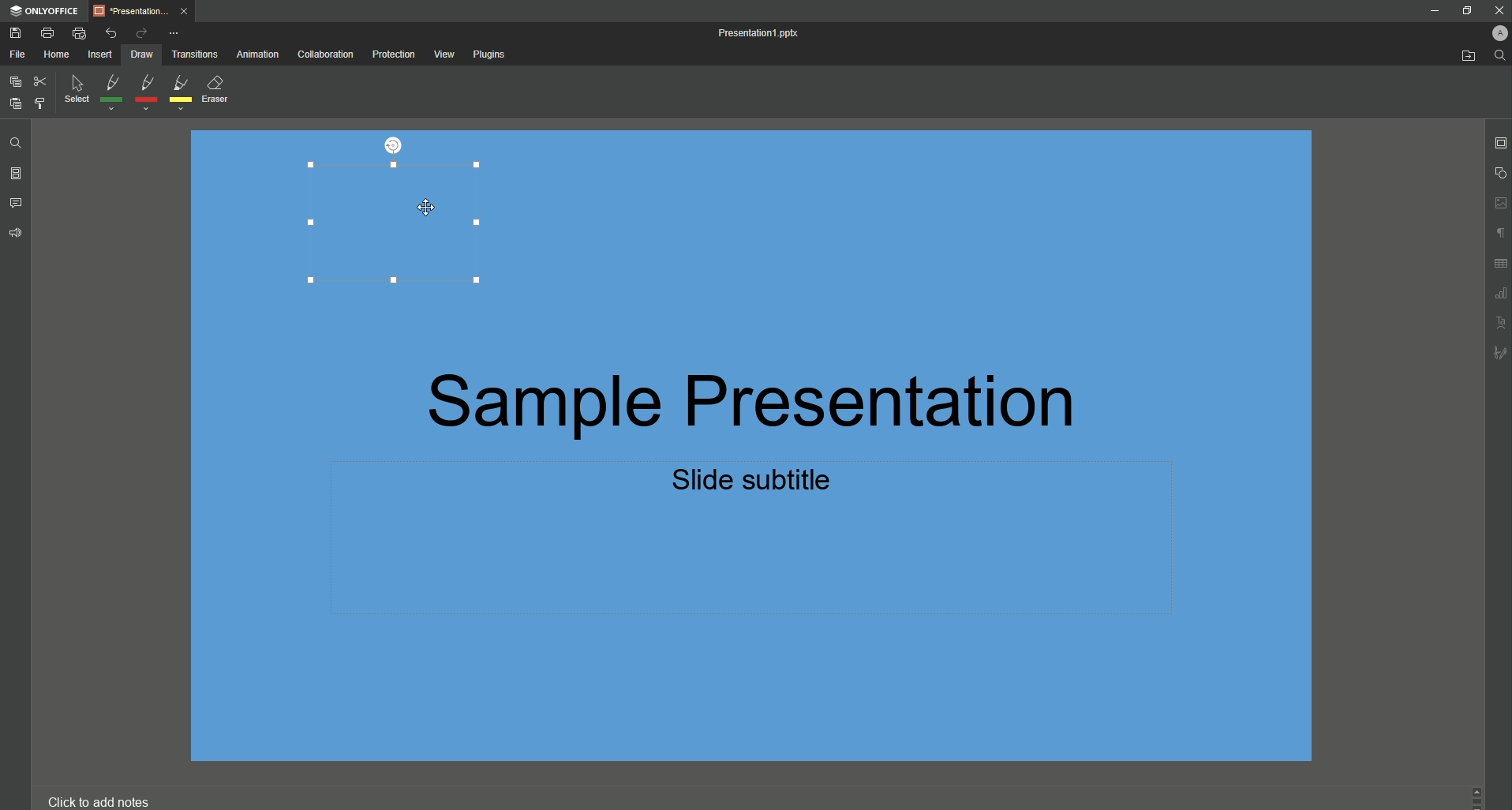 The image size is (1512, 810). I want to click on Presentation1, so click(765, 33).